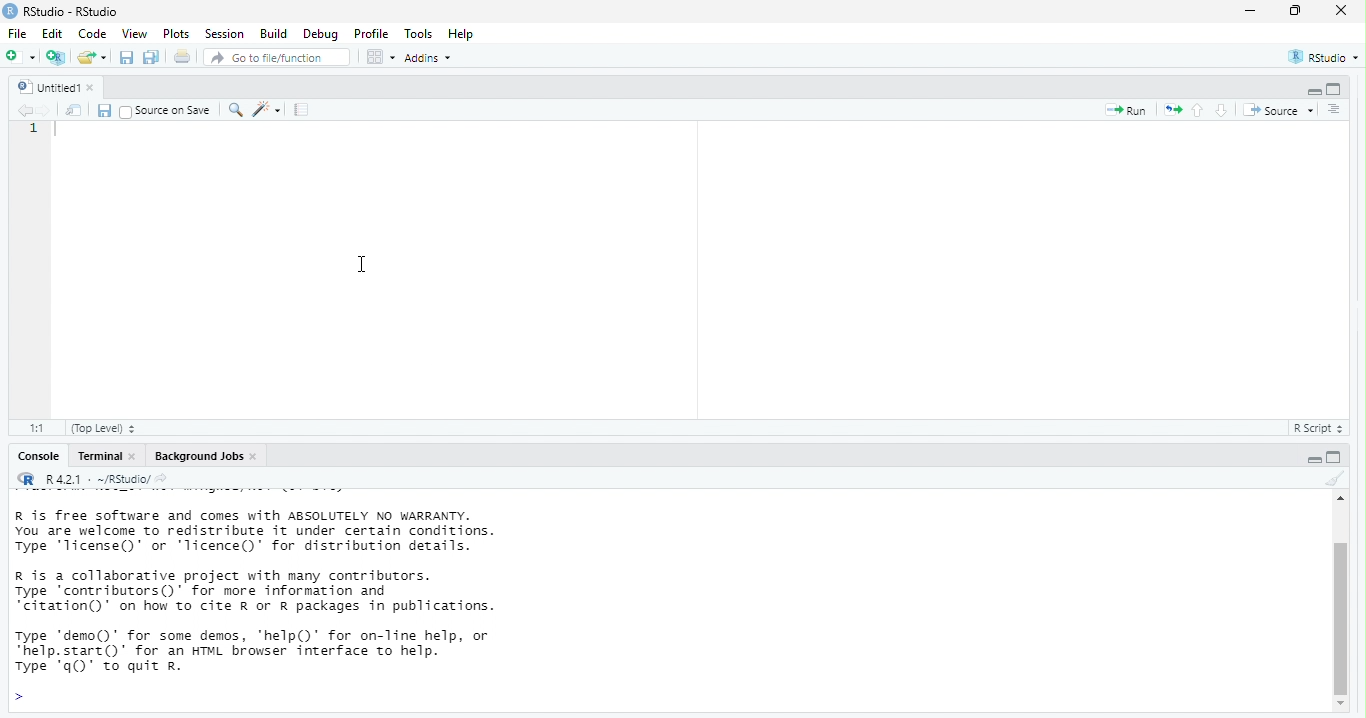  What do you see at coordinates (431, 56) in the screenshot?
I see `addins` at bounding box center [431, 56].